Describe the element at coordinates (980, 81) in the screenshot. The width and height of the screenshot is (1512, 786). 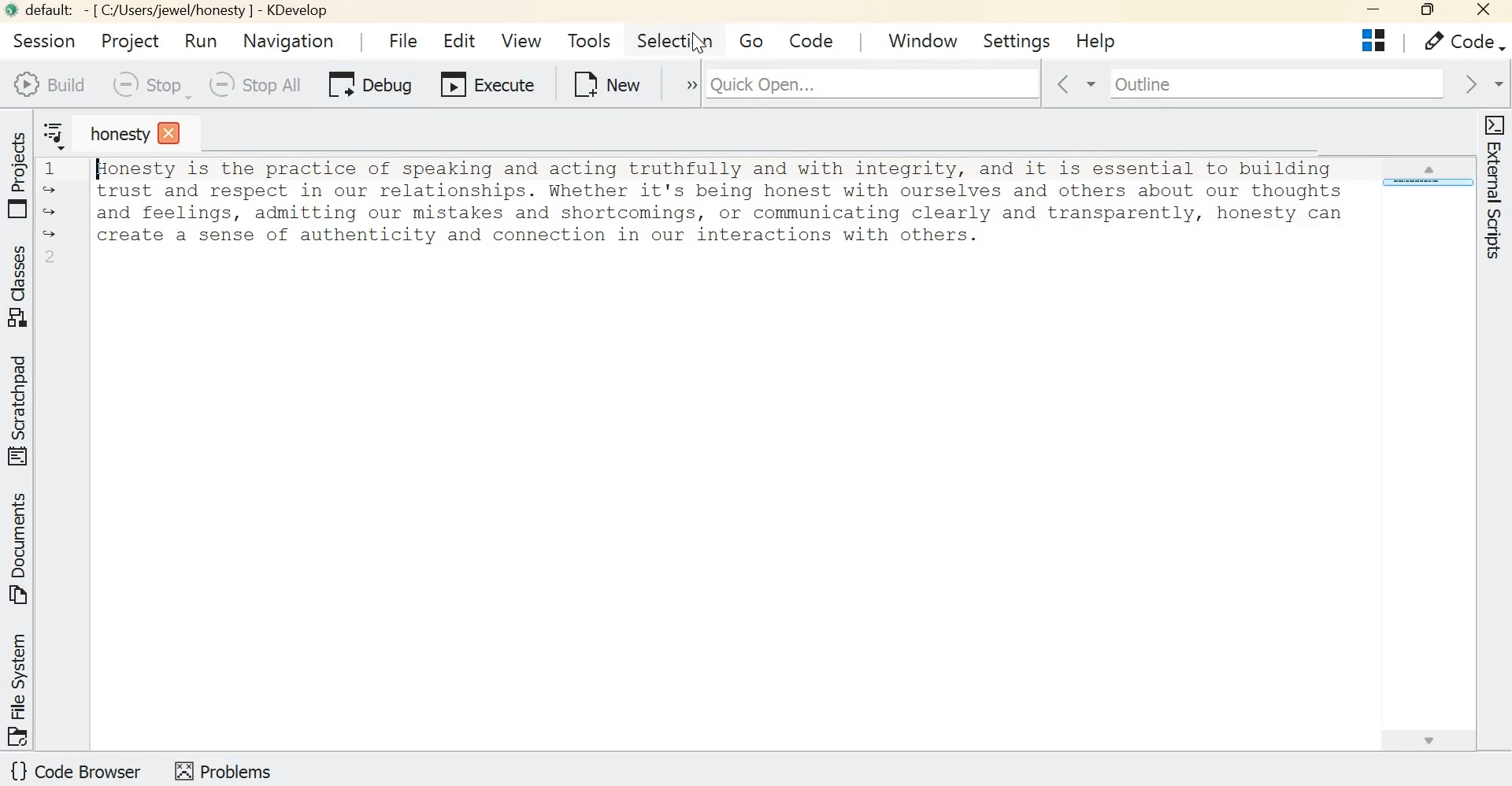
I see `Search for files, classes, functions and more, allowing you to quickly navigate in your source code` at that location.